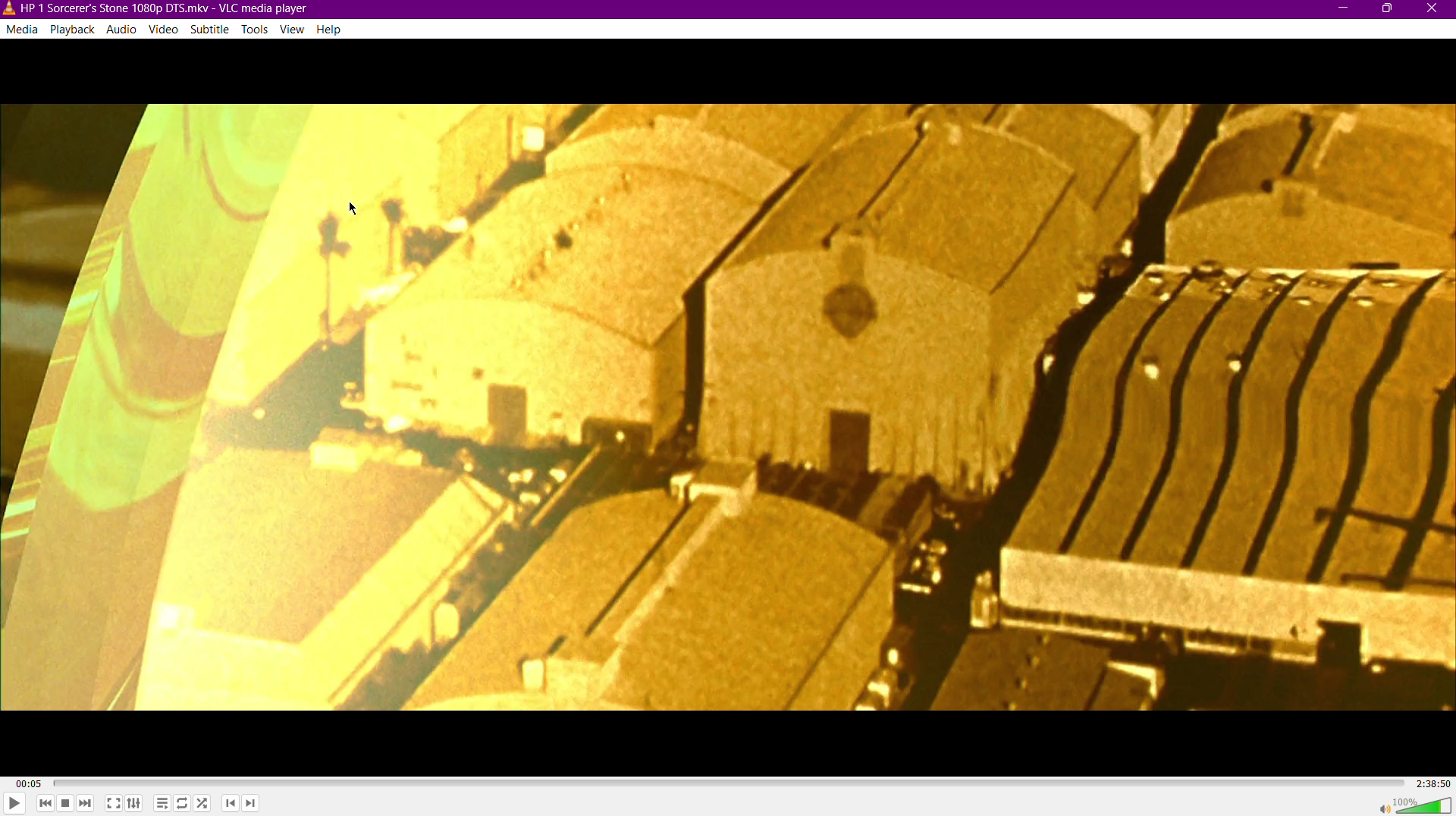 This screenshot has height=816, width=1456. I want to click on Cursor Position, so click(352, 209).